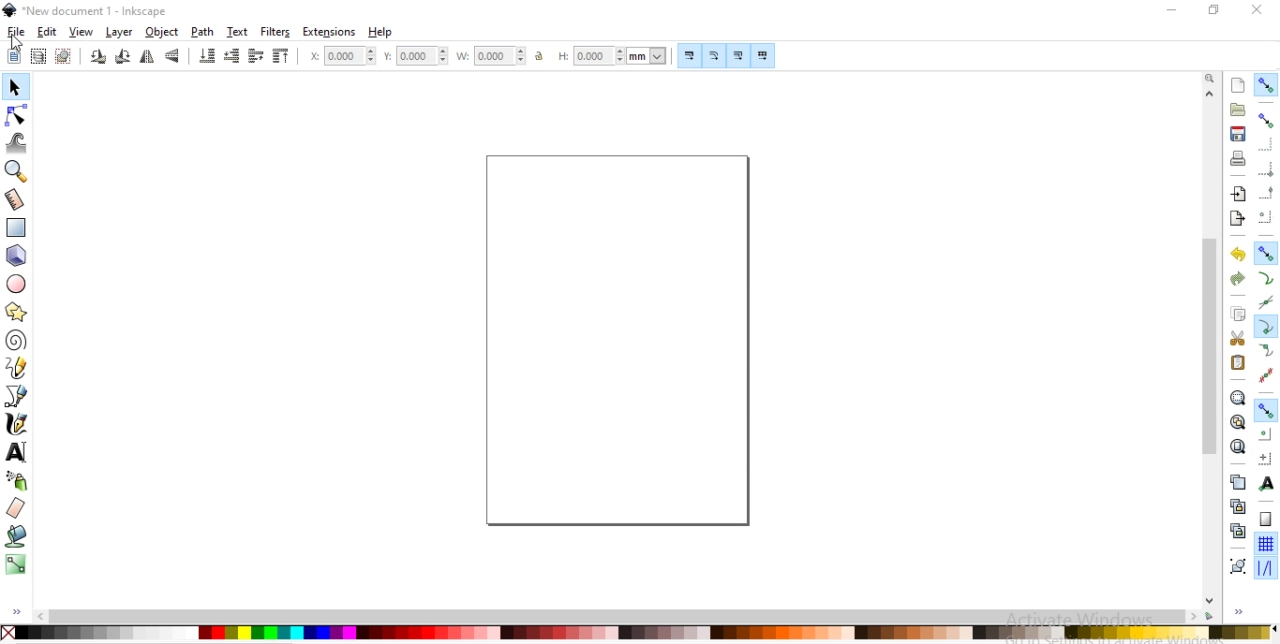  I want to click on create spirals, so click(16, 341).